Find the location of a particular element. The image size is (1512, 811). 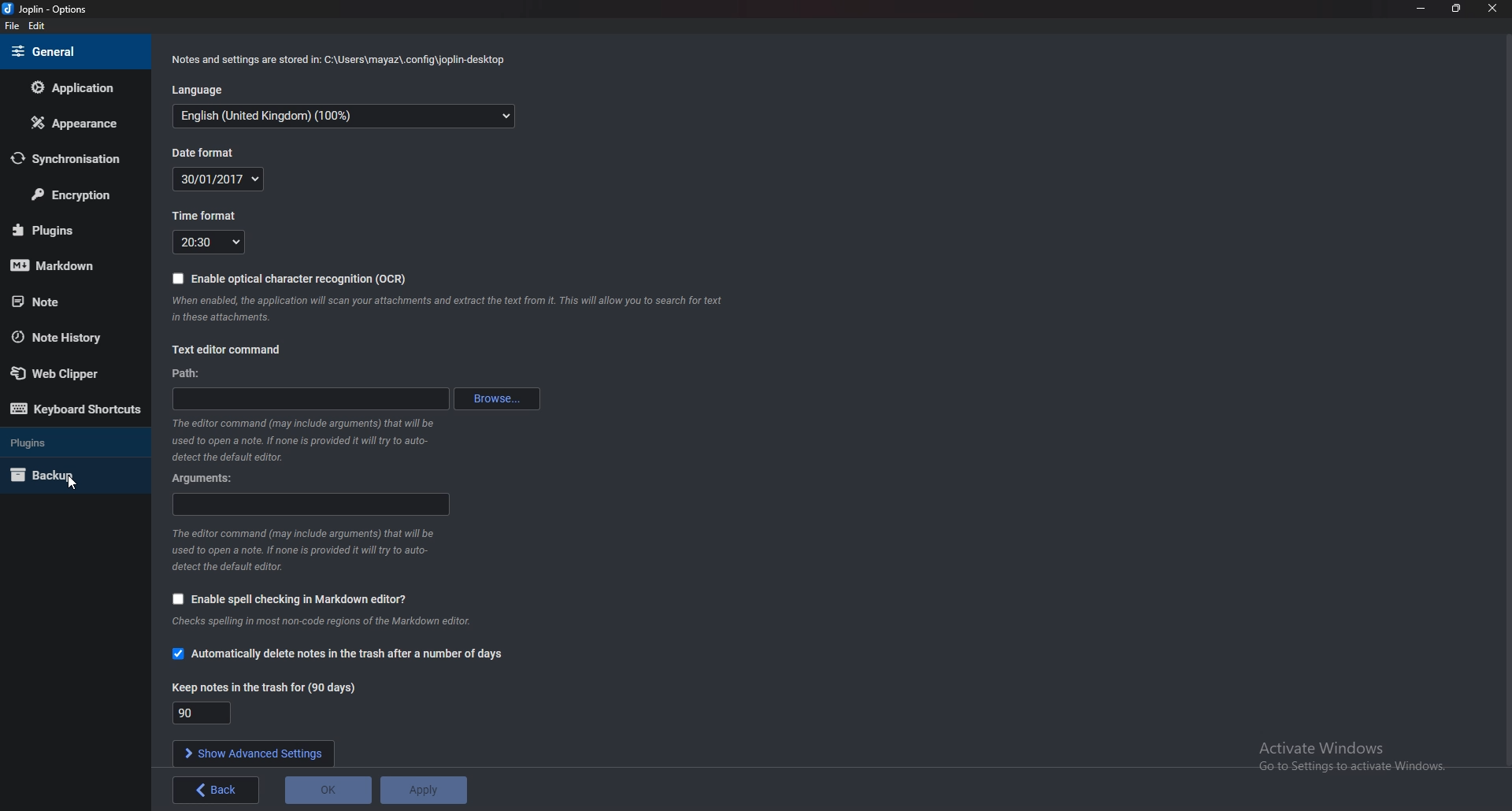

Time format is located at coordinates (205, 217).